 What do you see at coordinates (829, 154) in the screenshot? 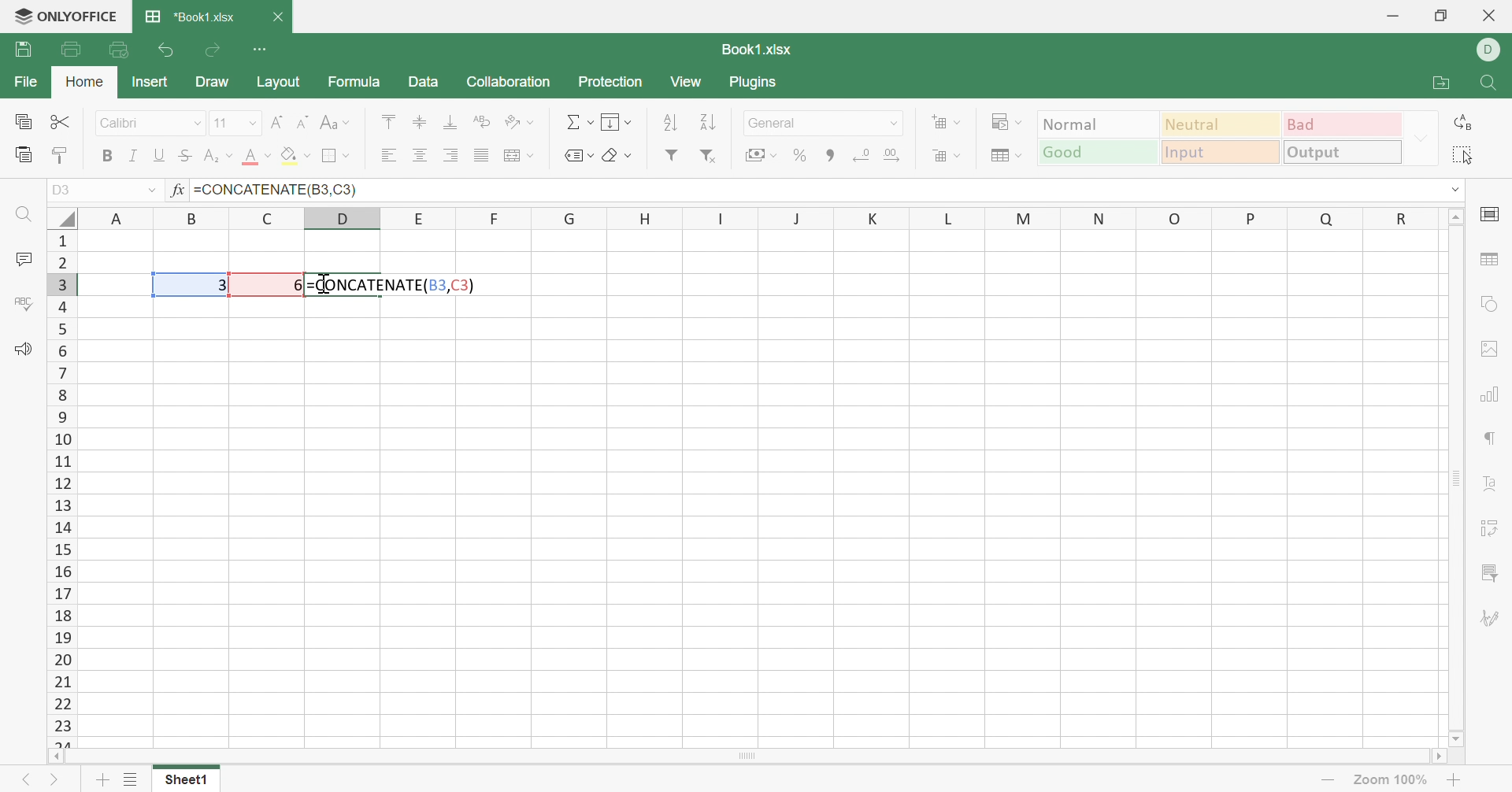
I see `Comma style` at bounding box center [829, 154].